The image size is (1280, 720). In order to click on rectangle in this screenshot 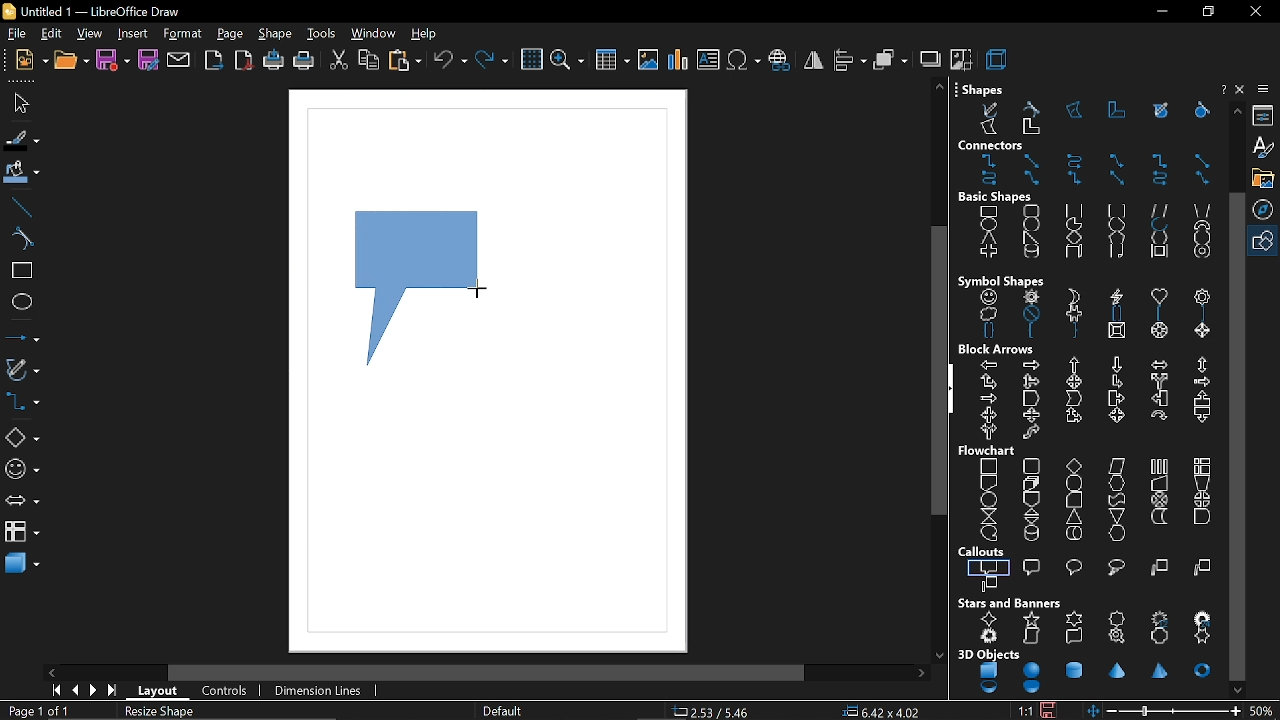, I will do `click(18, 272)`.